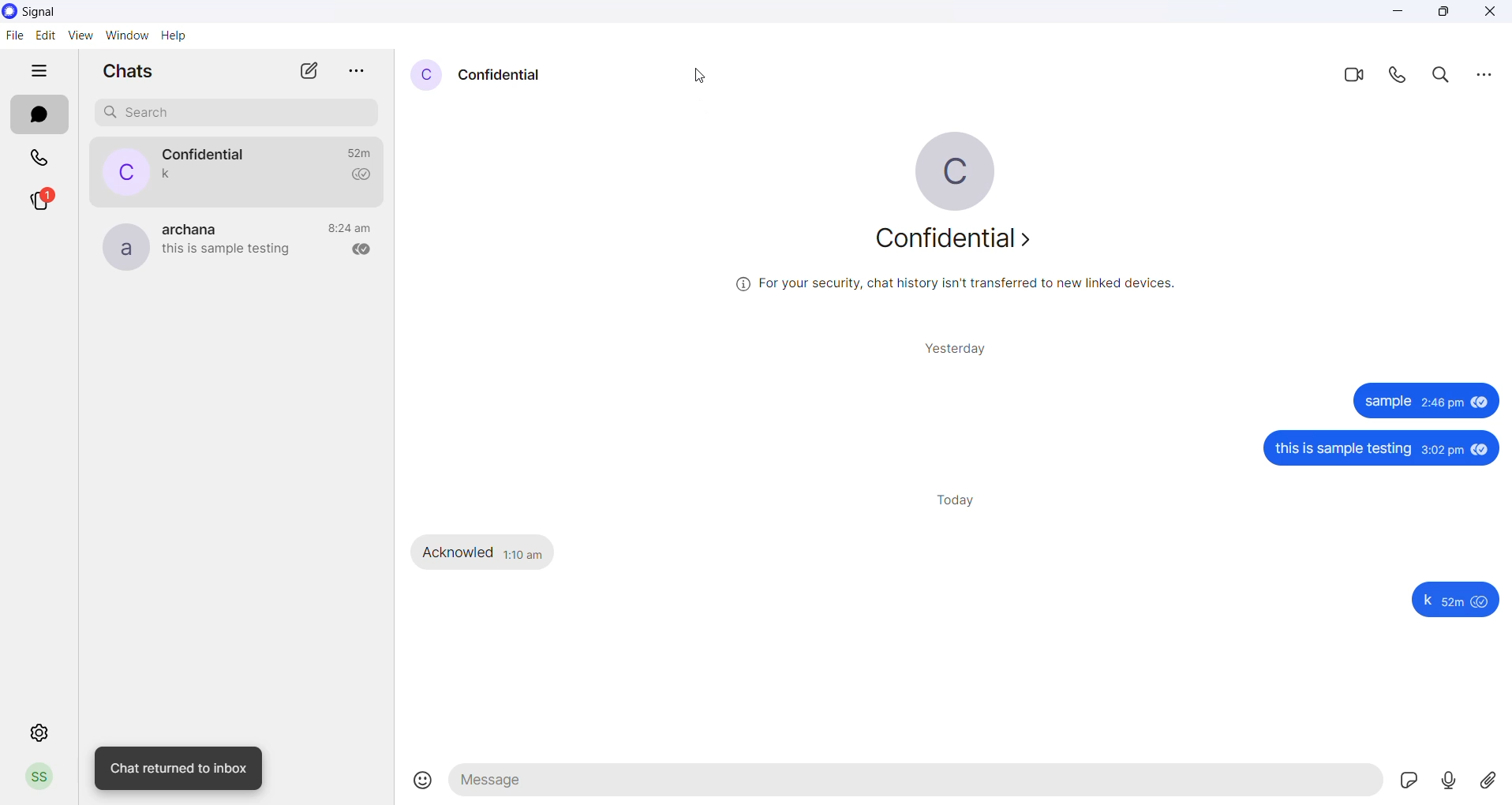 Image resolution: width=1512 pixels, height=805 pixels. What do you see at coordinates (39, 202) in the screenshot?
I see `stories` at bounding box center [39, 202].